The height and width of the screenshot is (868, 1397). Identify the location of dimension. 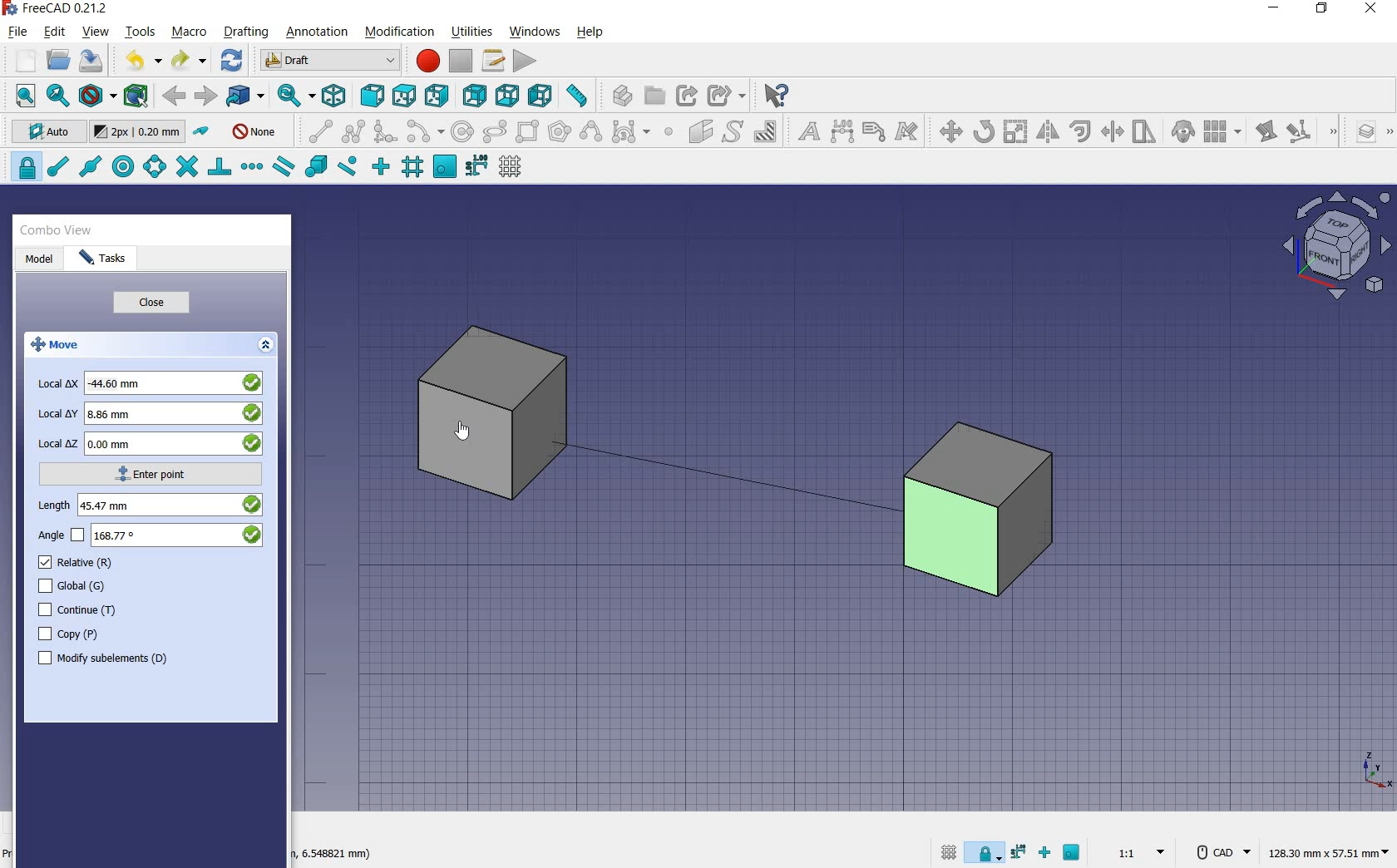
(333, 854).